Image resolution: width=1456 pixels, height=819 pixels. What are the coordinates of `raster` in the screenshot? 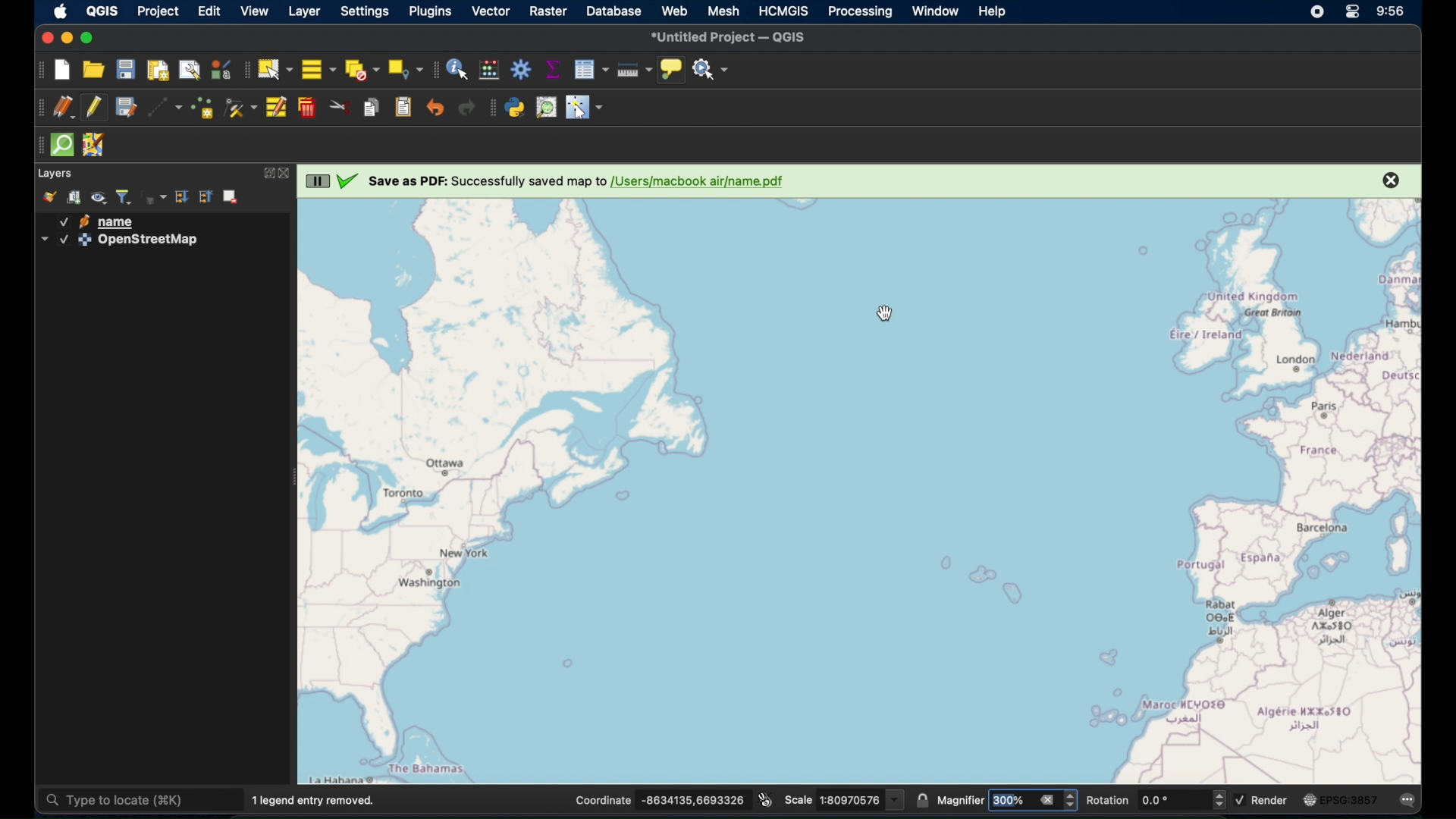 It's located at (548, 11).